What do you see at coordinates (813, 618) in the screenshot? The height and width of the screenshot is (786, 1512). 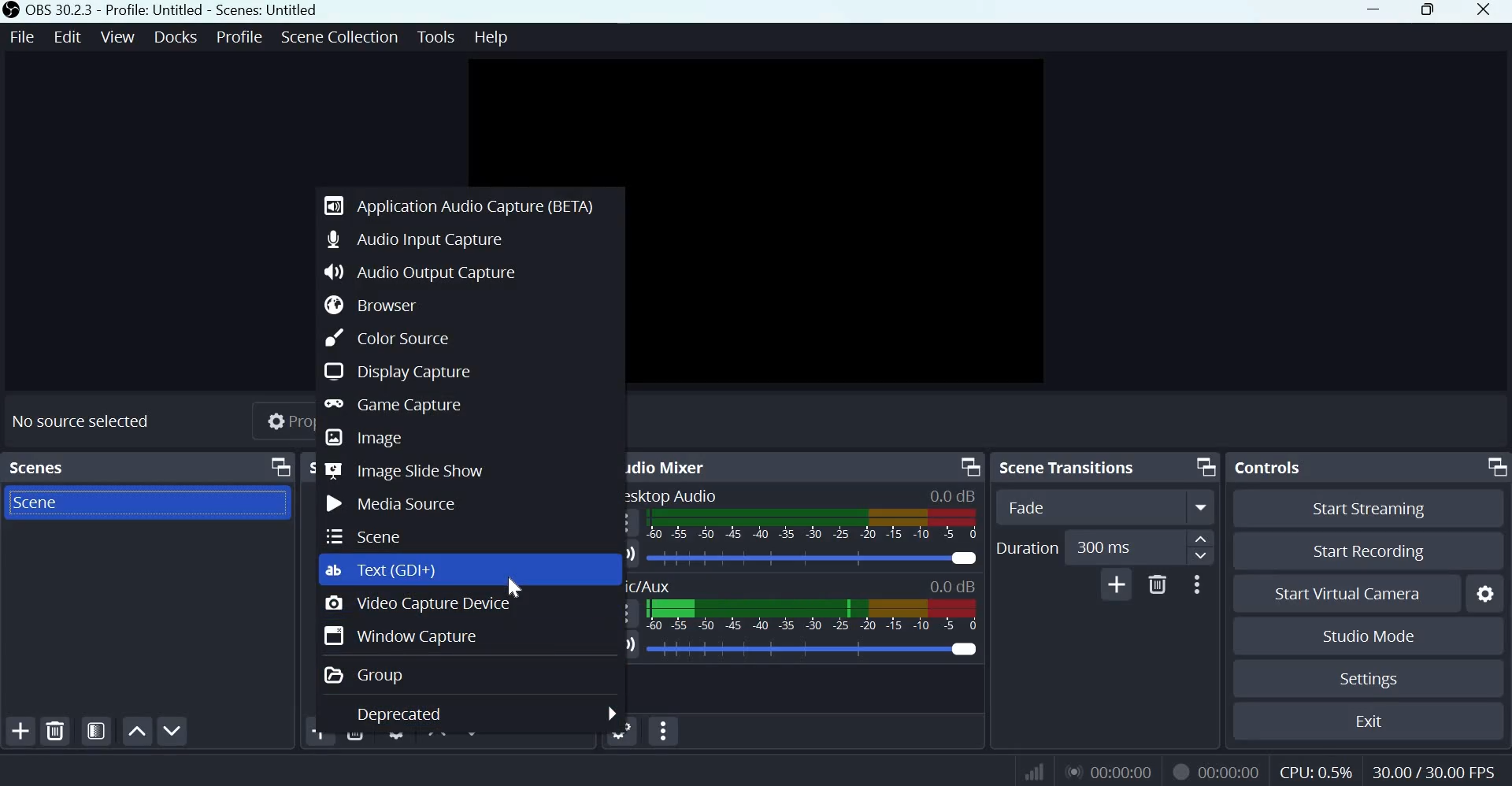 I see `Volume Meter` at bounding box center [813, 618].